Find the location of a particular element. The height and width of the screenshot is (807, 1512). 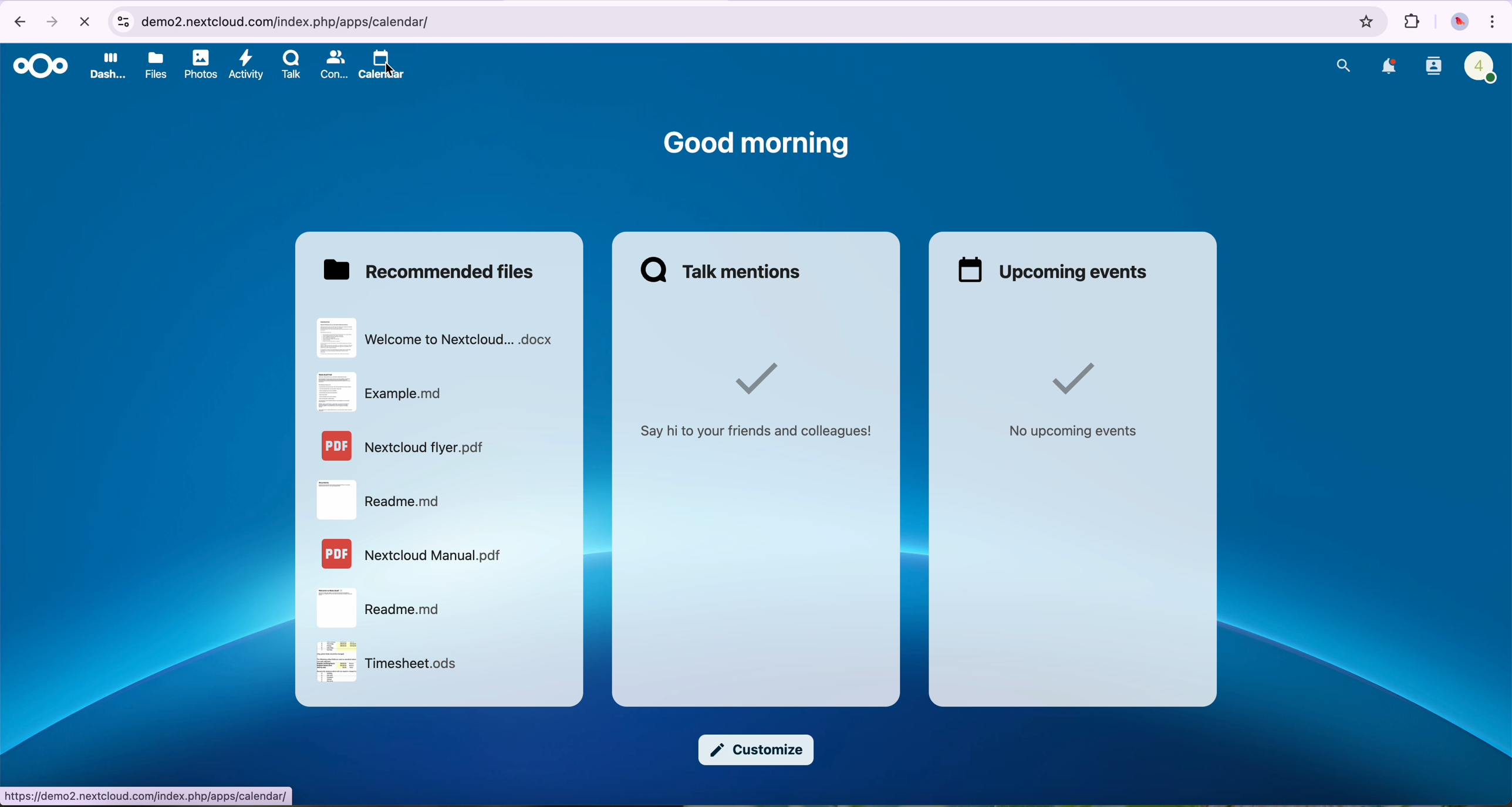

photos is located at coordinates (201, 66).